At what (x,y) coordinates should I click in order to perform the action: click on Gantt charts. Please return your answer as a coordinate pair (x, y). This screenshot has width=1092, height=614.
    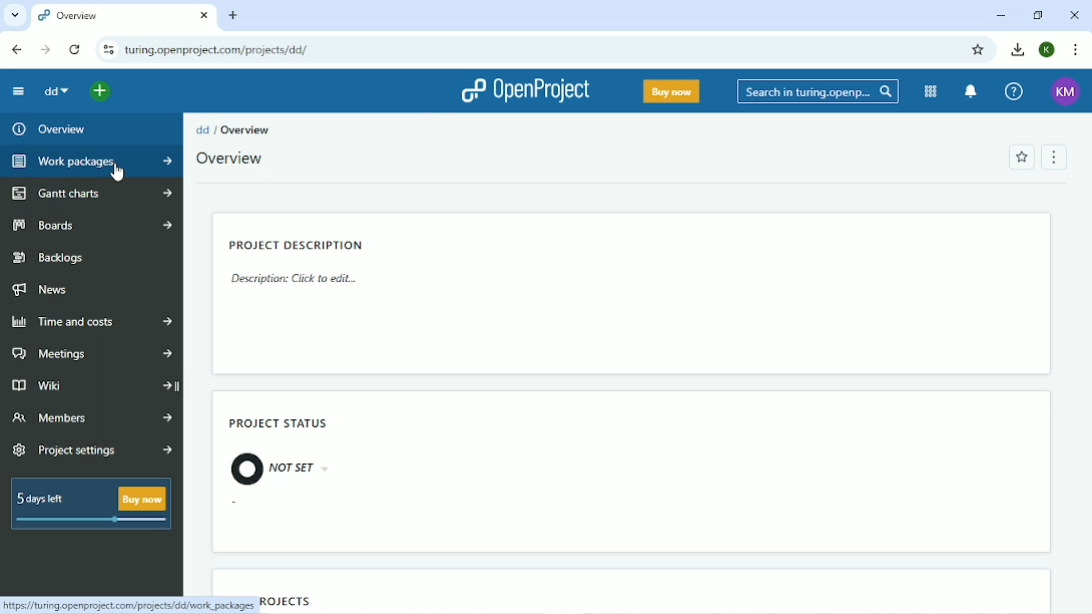
    Looking at the image, I should click on (93, 194).